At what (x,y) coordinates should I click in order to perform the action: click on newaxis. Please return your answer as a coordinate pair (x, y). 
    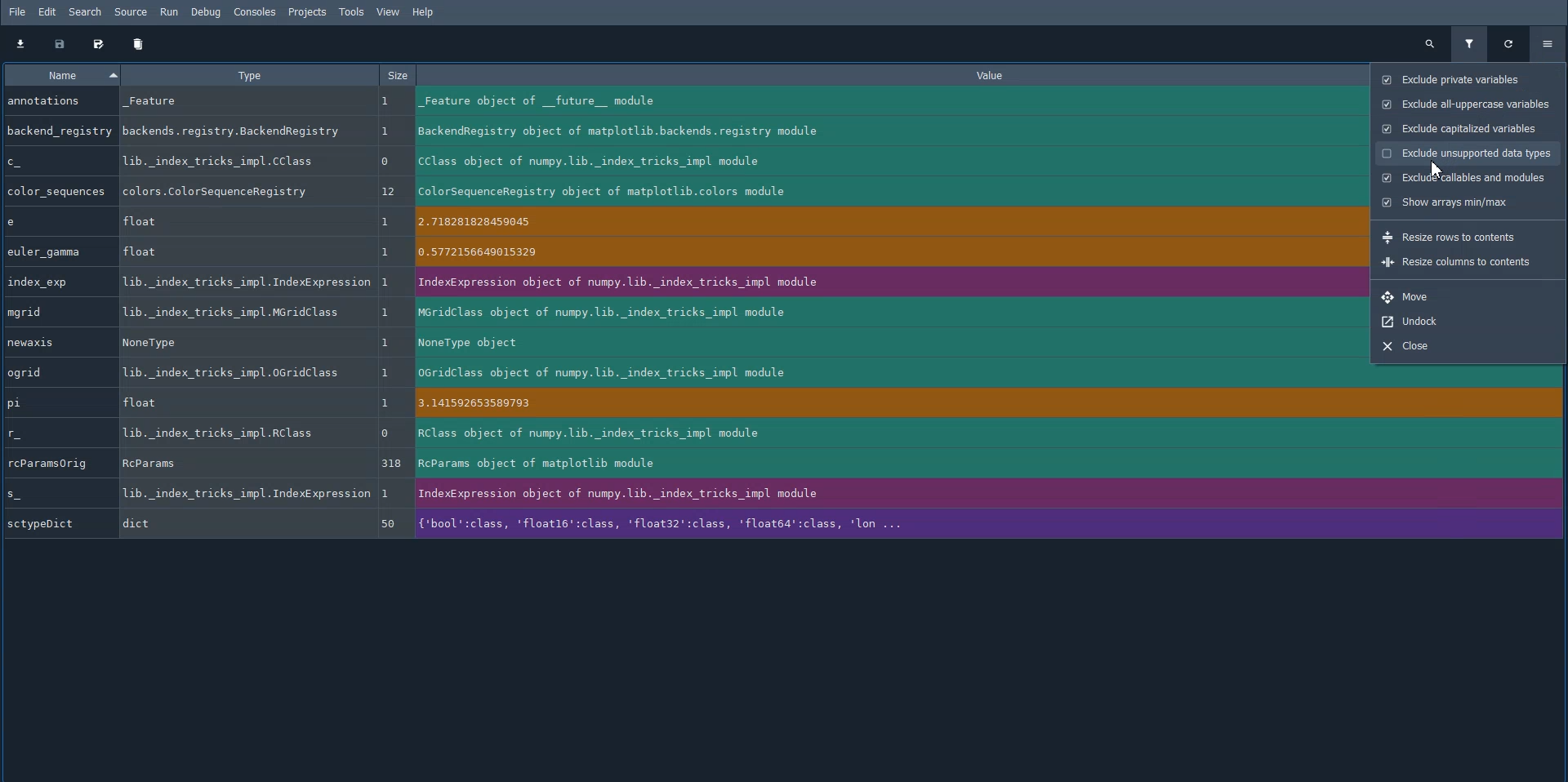
    Looking at the image, I should click on (54, 342).